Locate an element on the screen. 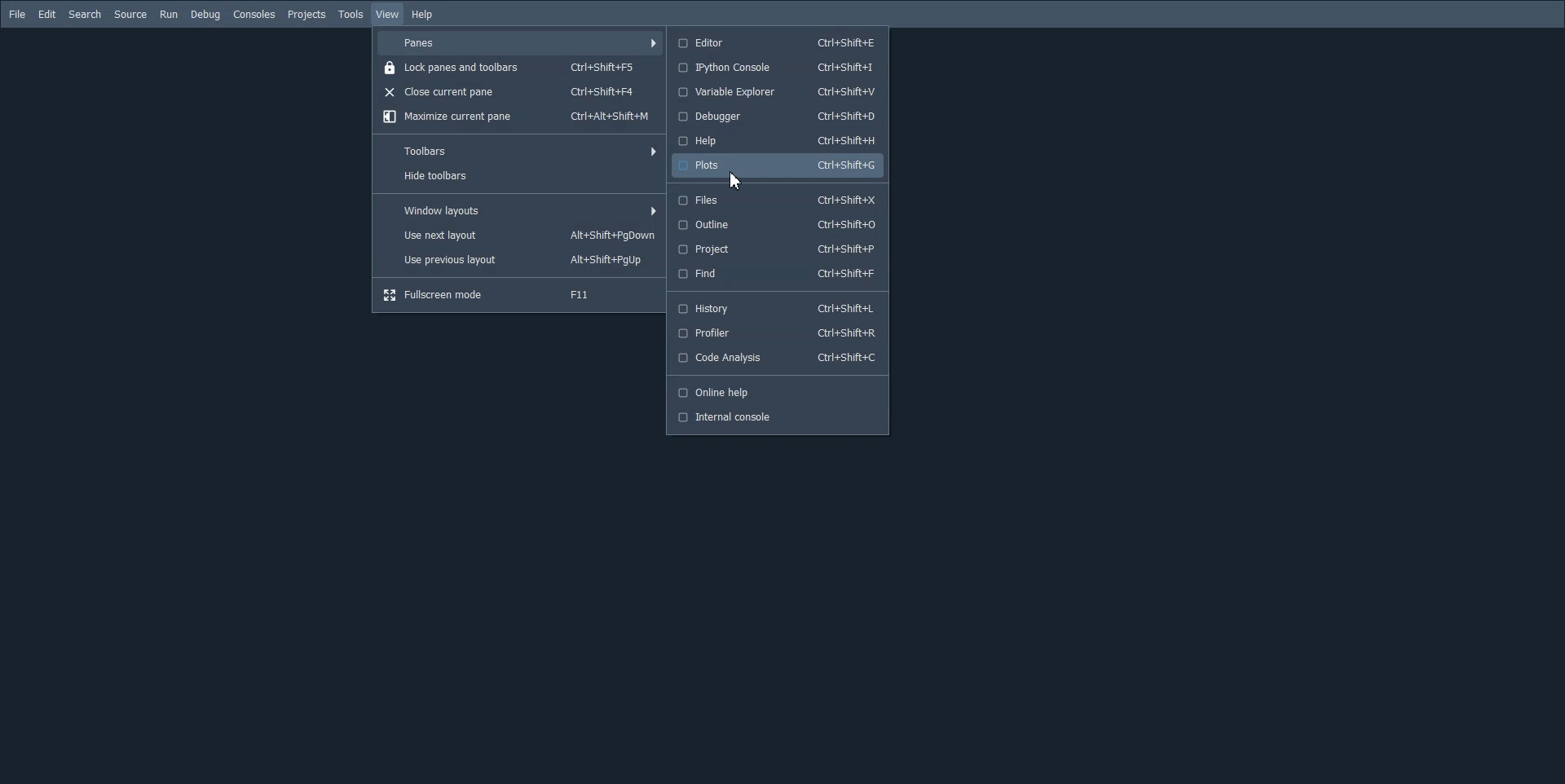 The height and width of the screenshot is (784, 1565). Debug is located at coordinates (205, 15).